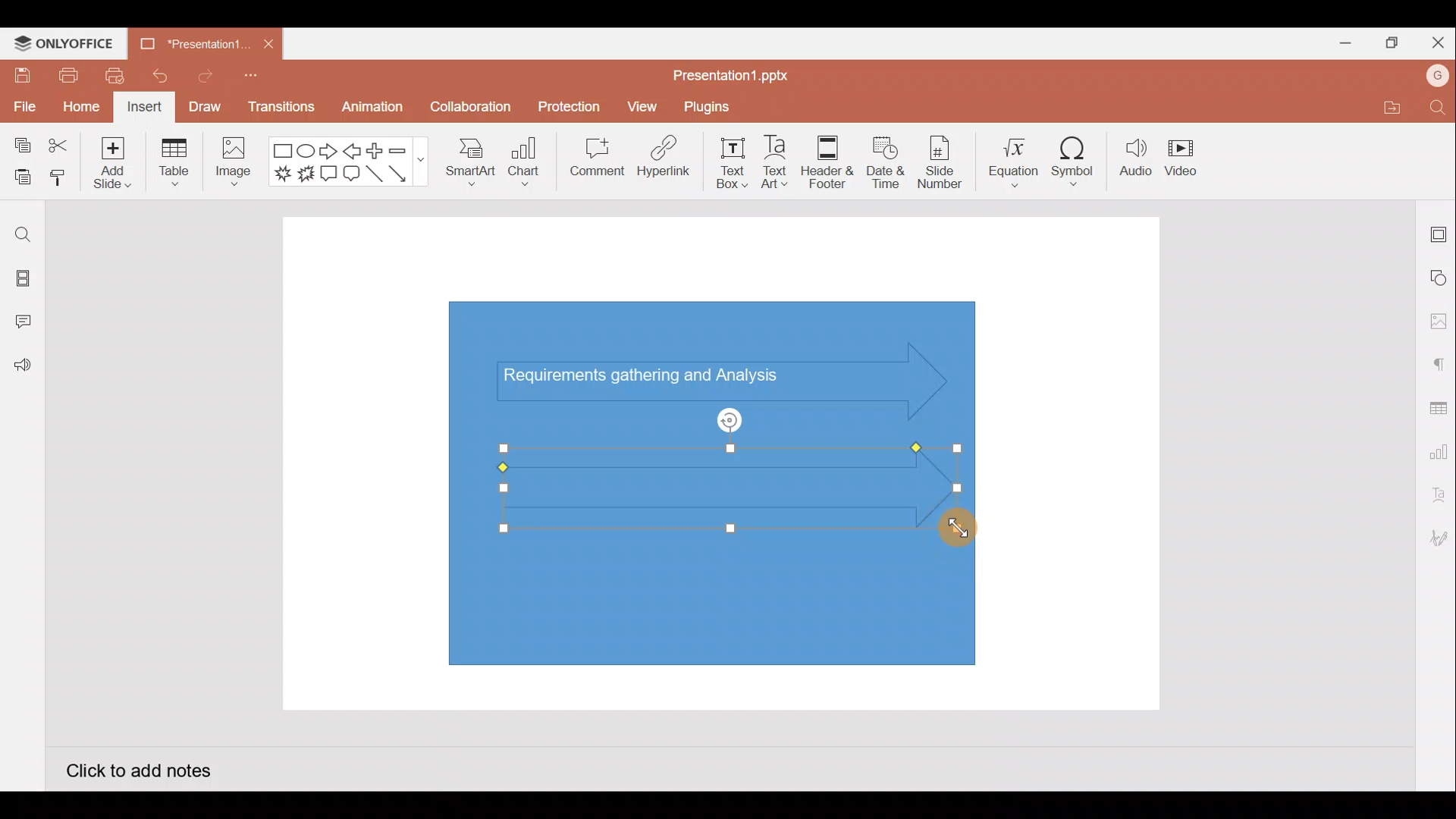 Image resolution: width=1456 pixels, height=819 pixels. What do you see at coordinates (145, 108) in the screenshot?
I see `Insert` at bounding box center [145, 108].